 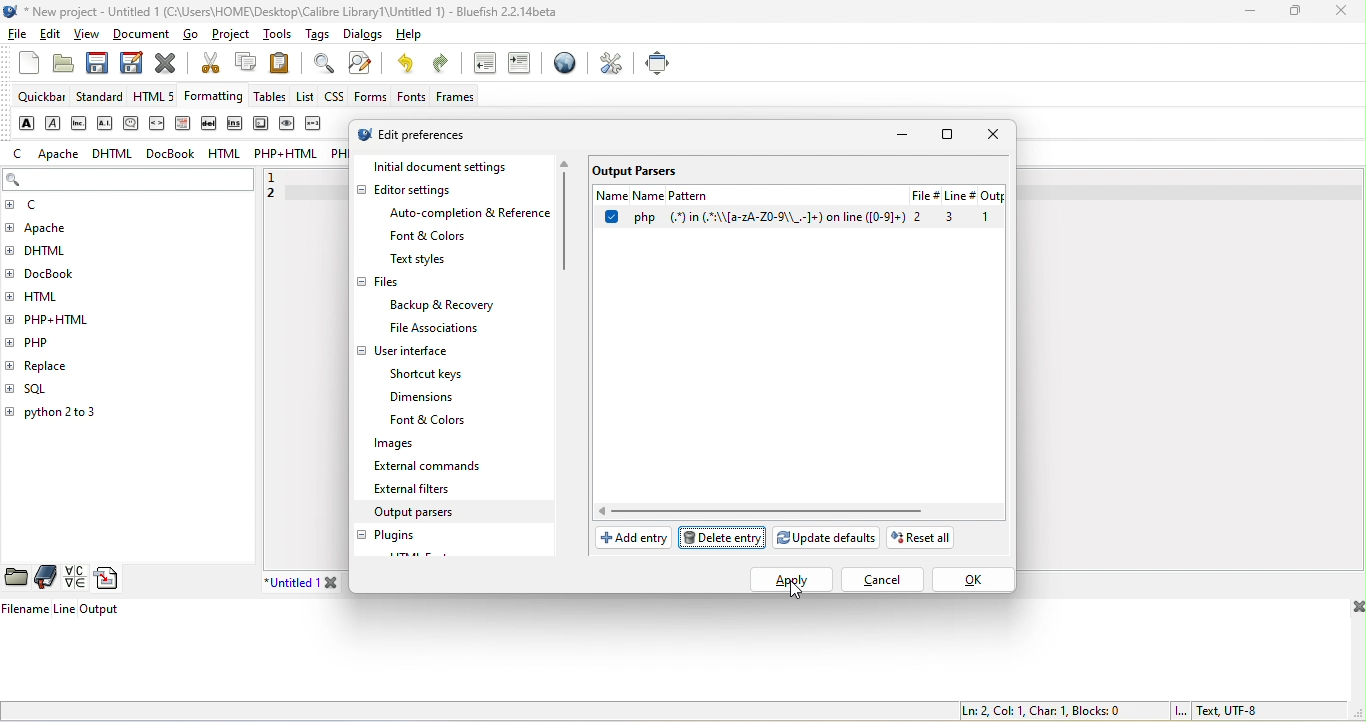 What do you see at coordinates (456, 167) in the screenshot?
I see `initial document settings` at bounding box center [456, 167].